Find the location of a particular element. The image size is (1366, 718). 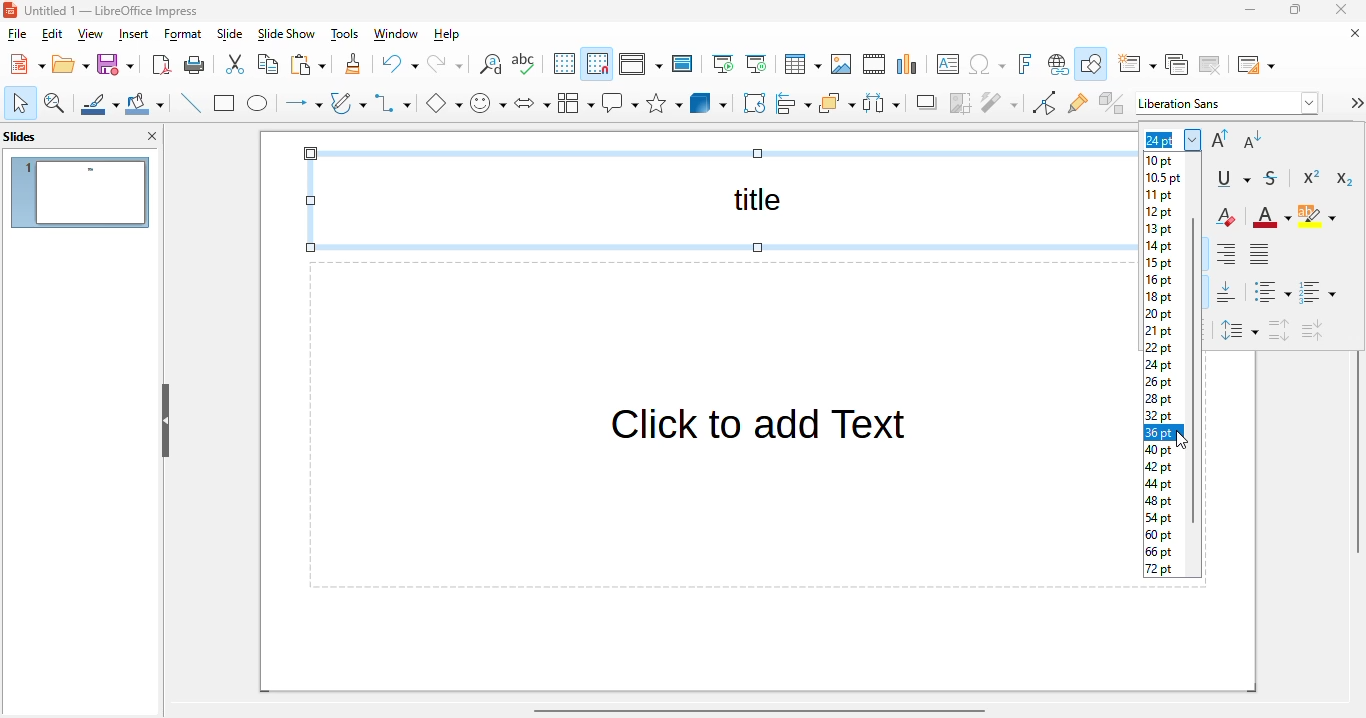

clear direct formatting is located at coordinates (1226, 216).